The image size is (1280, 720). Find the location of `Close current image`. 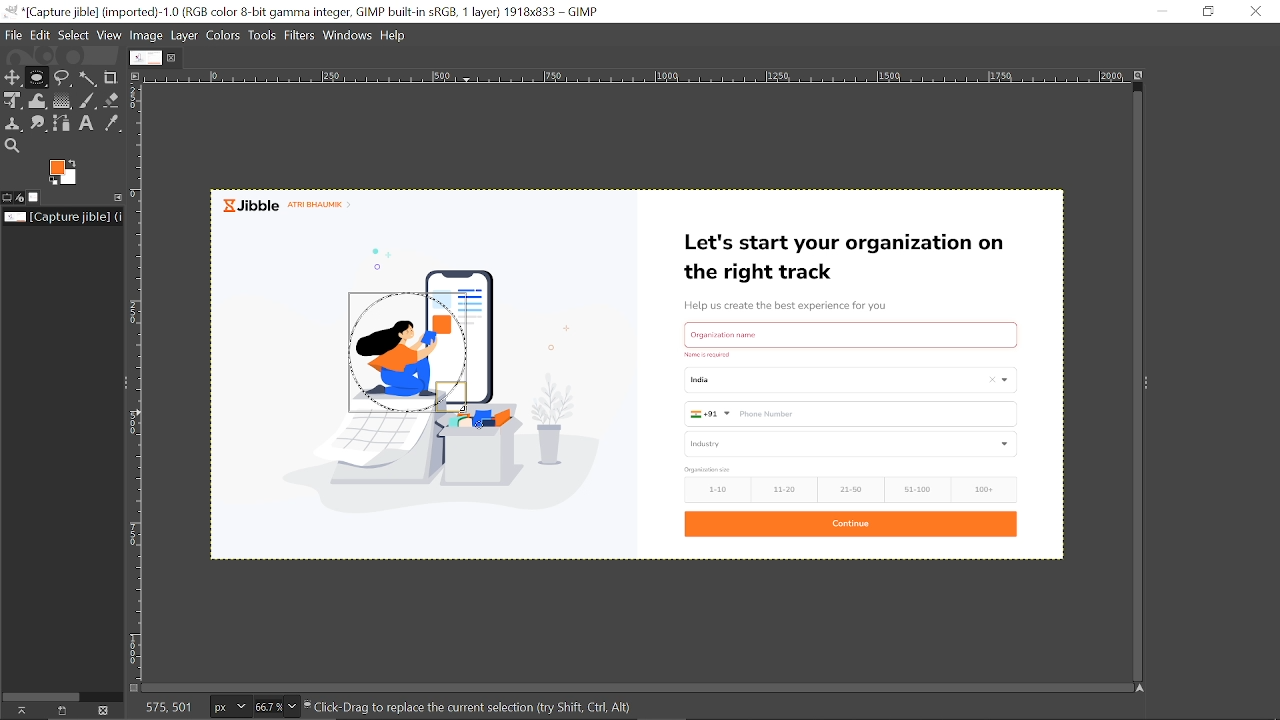

Close current image is located at coordinates (173, 58).